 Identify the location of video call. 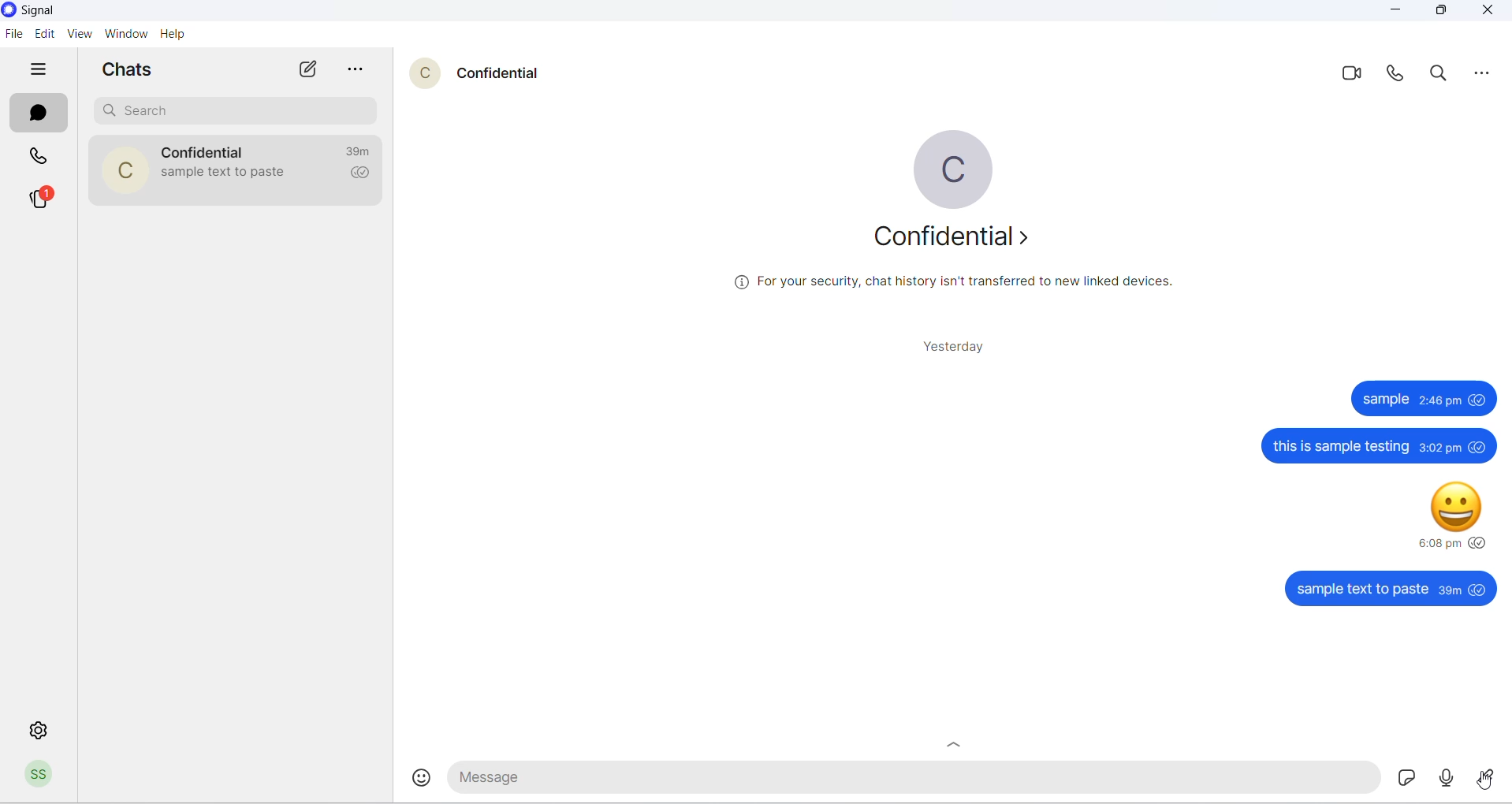
(1354, 74).